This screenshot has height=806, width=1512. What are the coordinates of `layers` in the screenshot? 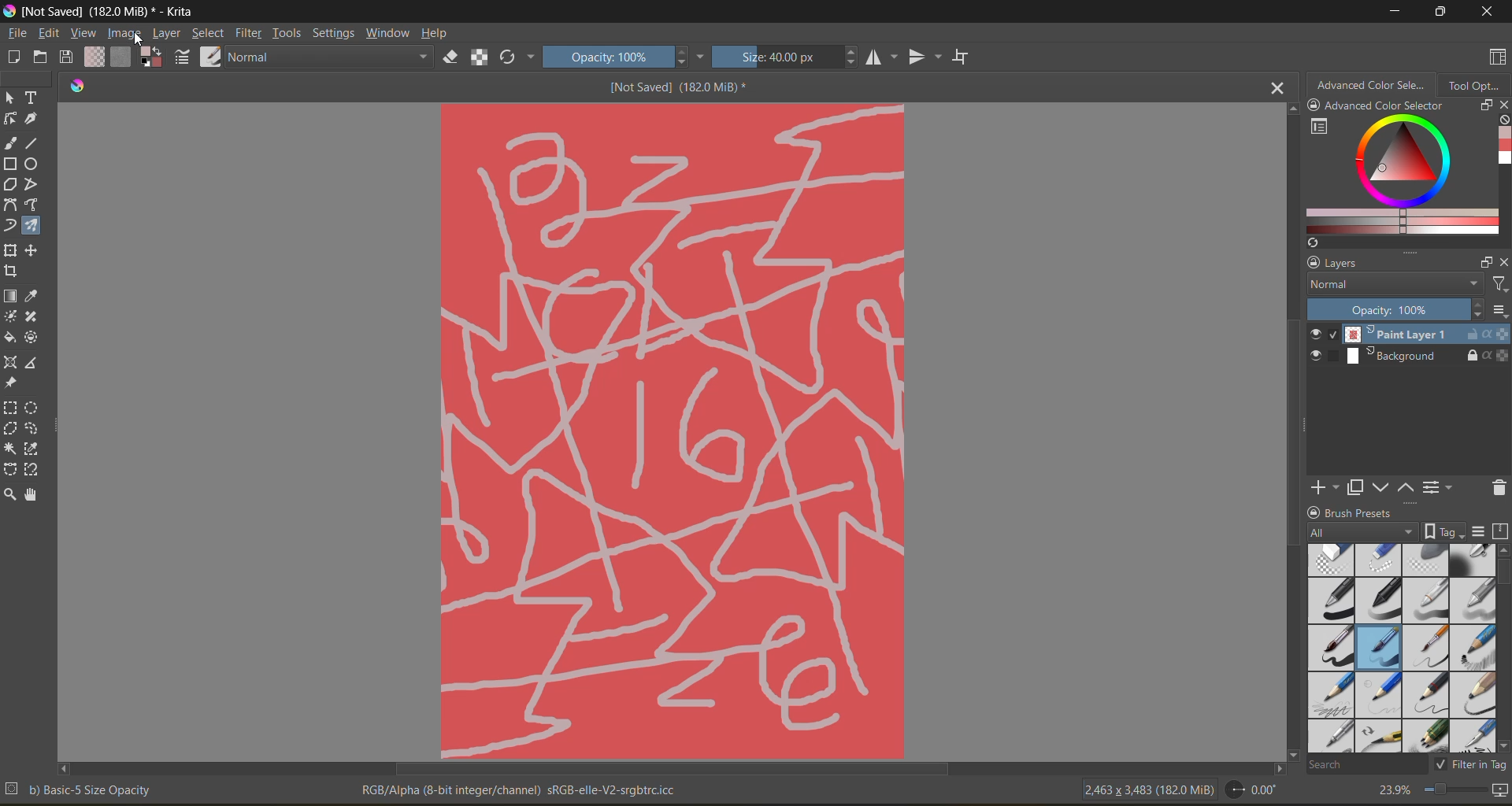 It's located at (1426, 346).